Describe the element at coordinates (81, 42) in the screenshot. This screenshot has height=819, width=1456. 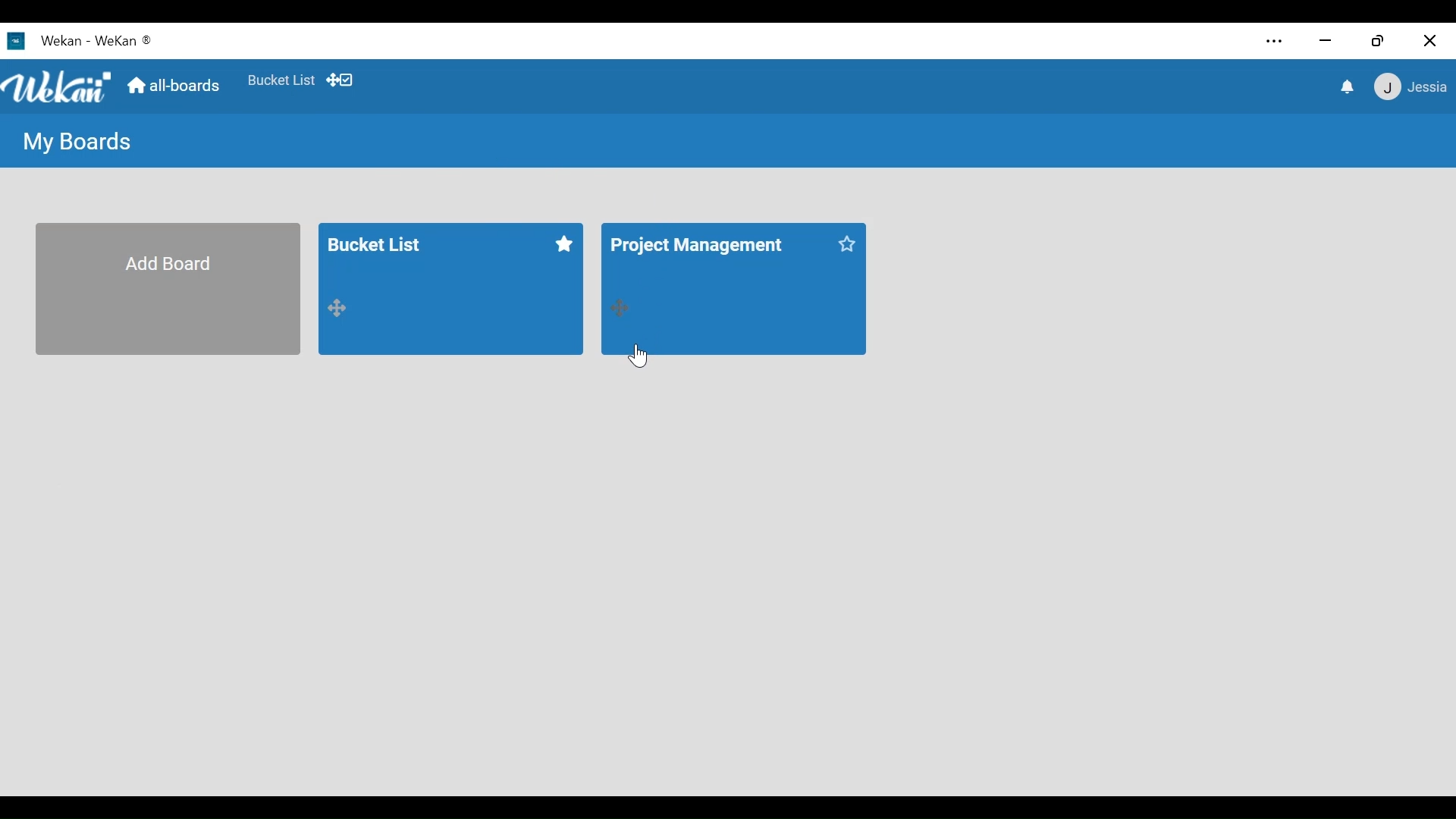
I see `Wekan Desktop Icon` at that location.